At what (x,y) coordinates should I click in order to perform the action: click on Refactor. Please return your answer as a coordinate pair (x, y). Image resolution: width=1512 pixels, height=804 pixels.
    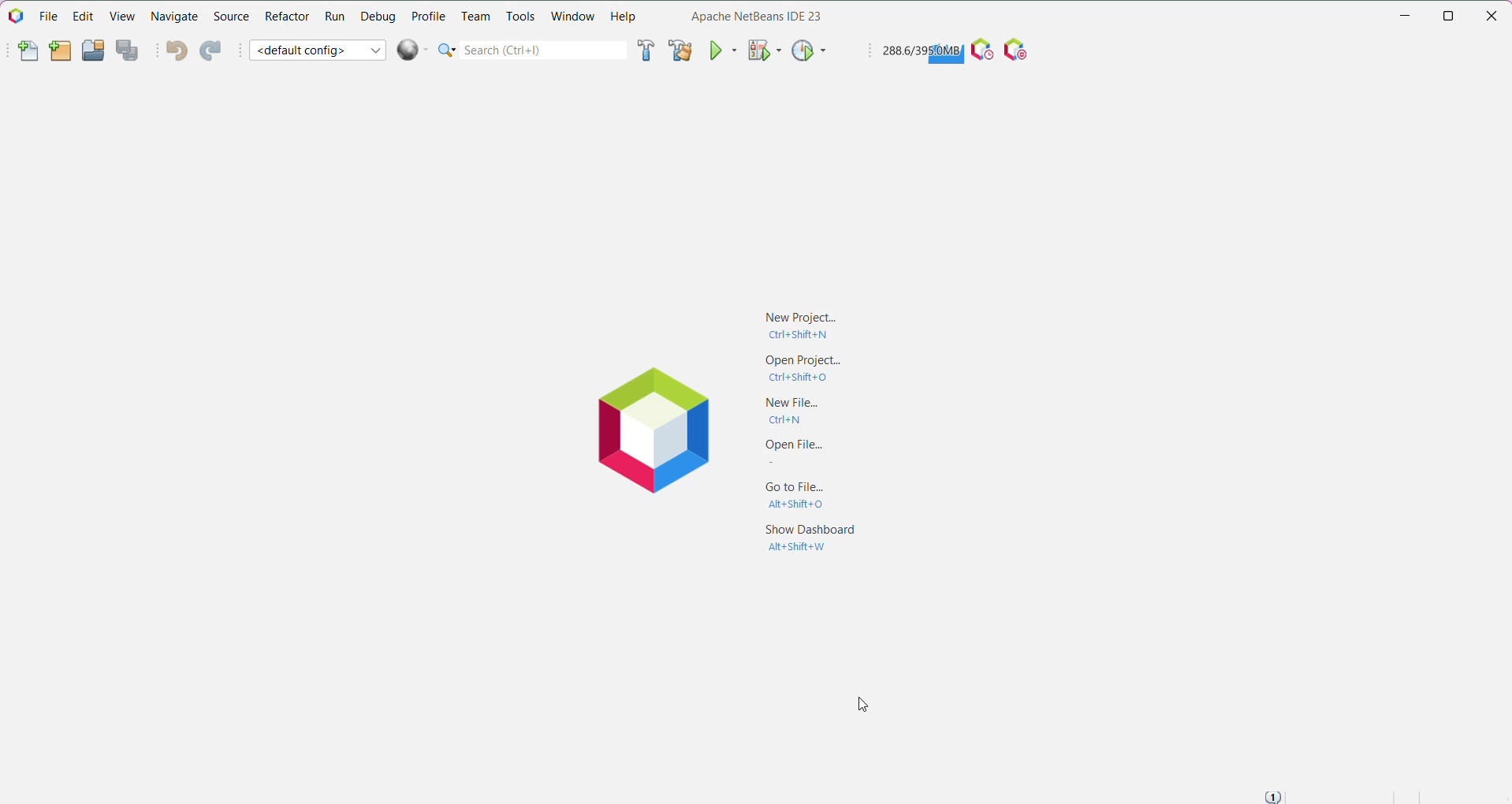
    Looking at the image, I should click on (286, 19).